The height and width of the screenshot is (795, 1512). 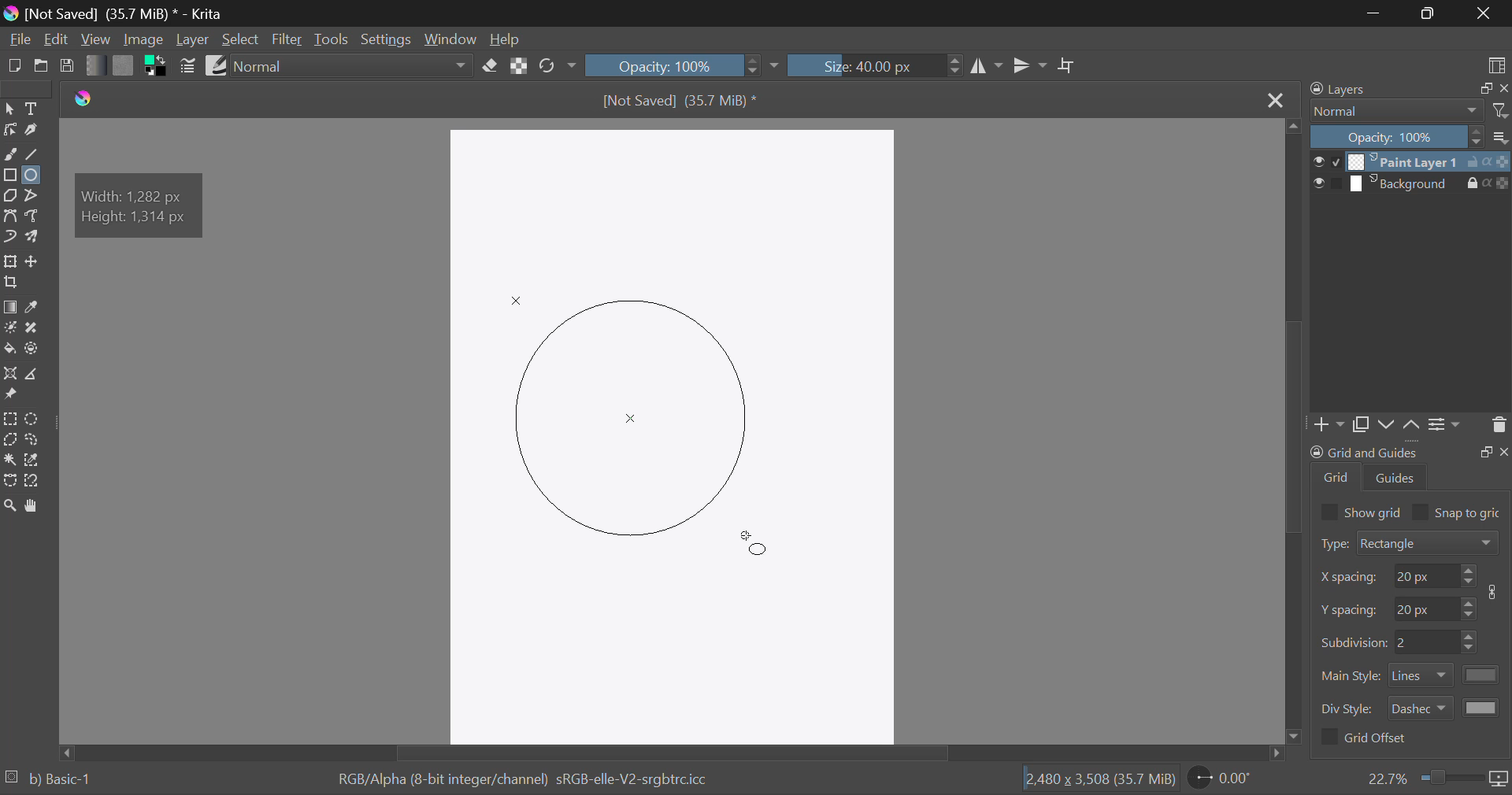 I want to click on b) Basic-1, so click(x=61, y=778).